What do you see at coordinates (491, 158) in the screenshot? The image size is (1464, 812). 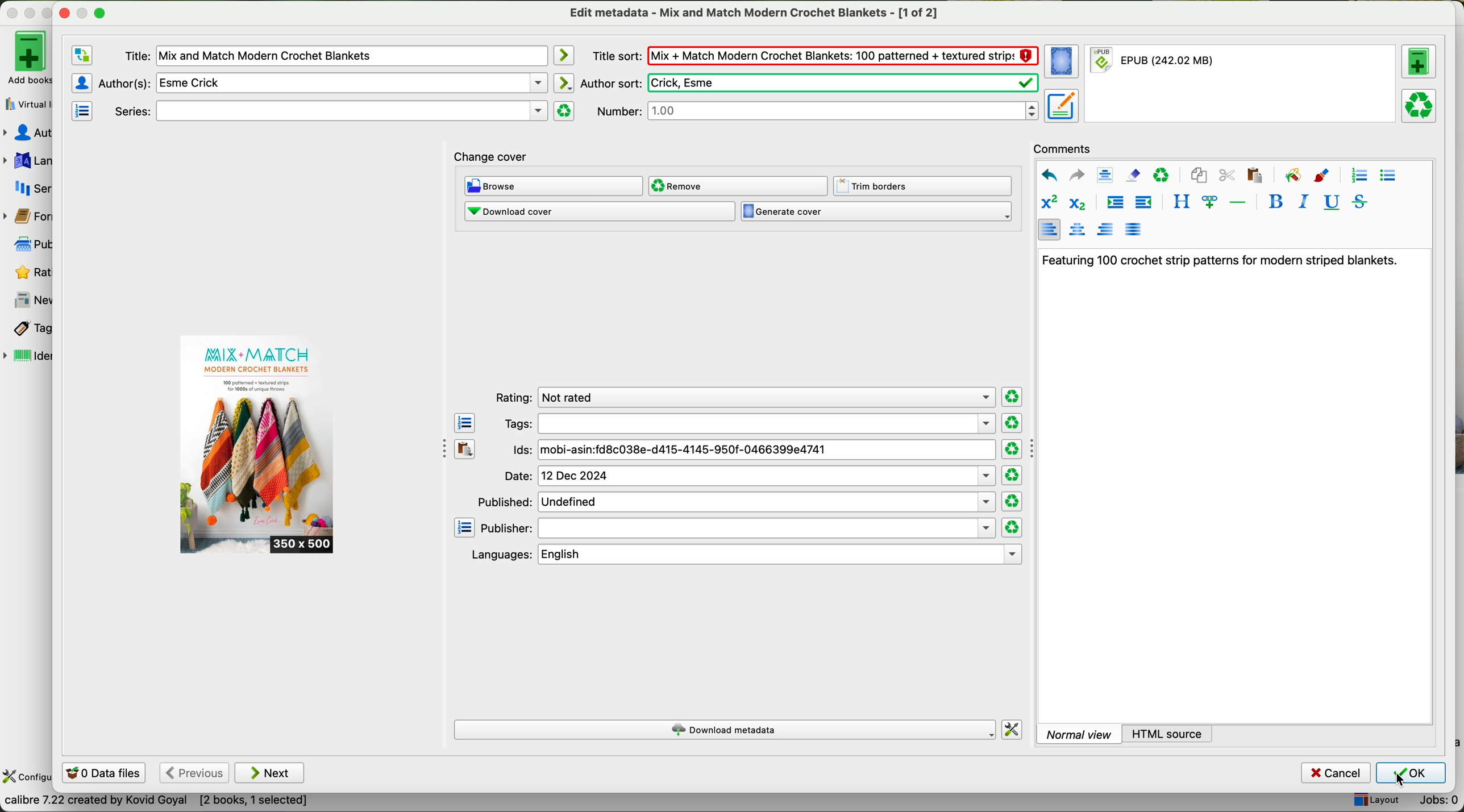 I see `change cover` at bounding box center [491, 158].